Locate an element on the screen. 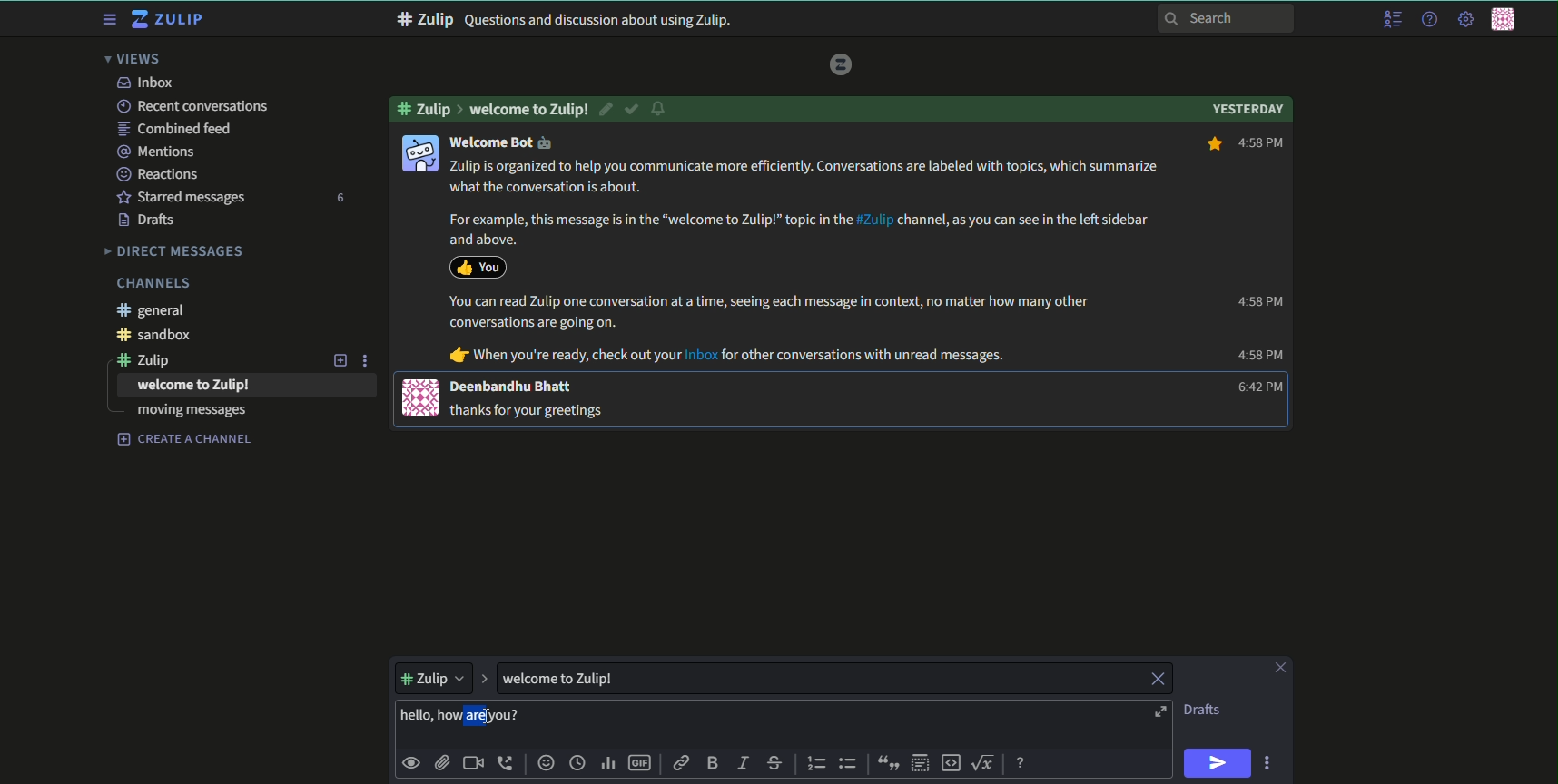 This screenshot has height=784, width=1558. welcome Bot is located at coordinates (501, 142).